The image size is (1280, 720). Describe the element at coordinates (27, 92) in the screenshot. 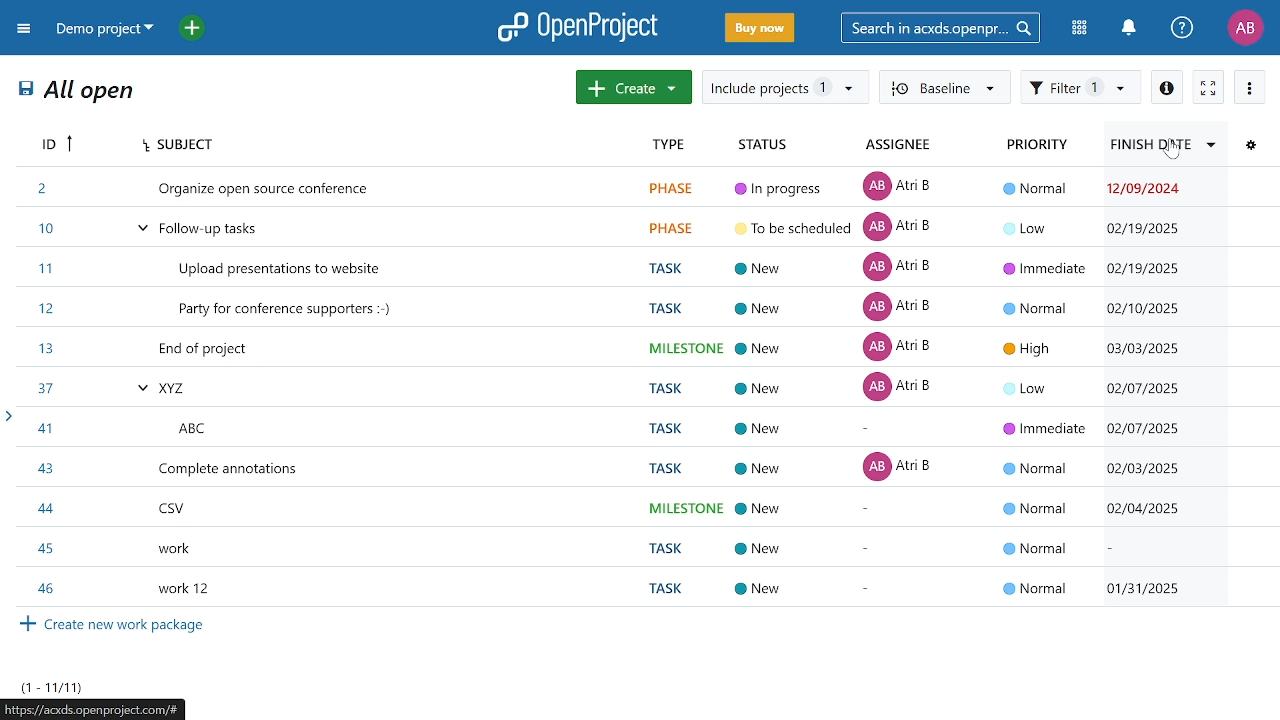

I see `save` at that location.